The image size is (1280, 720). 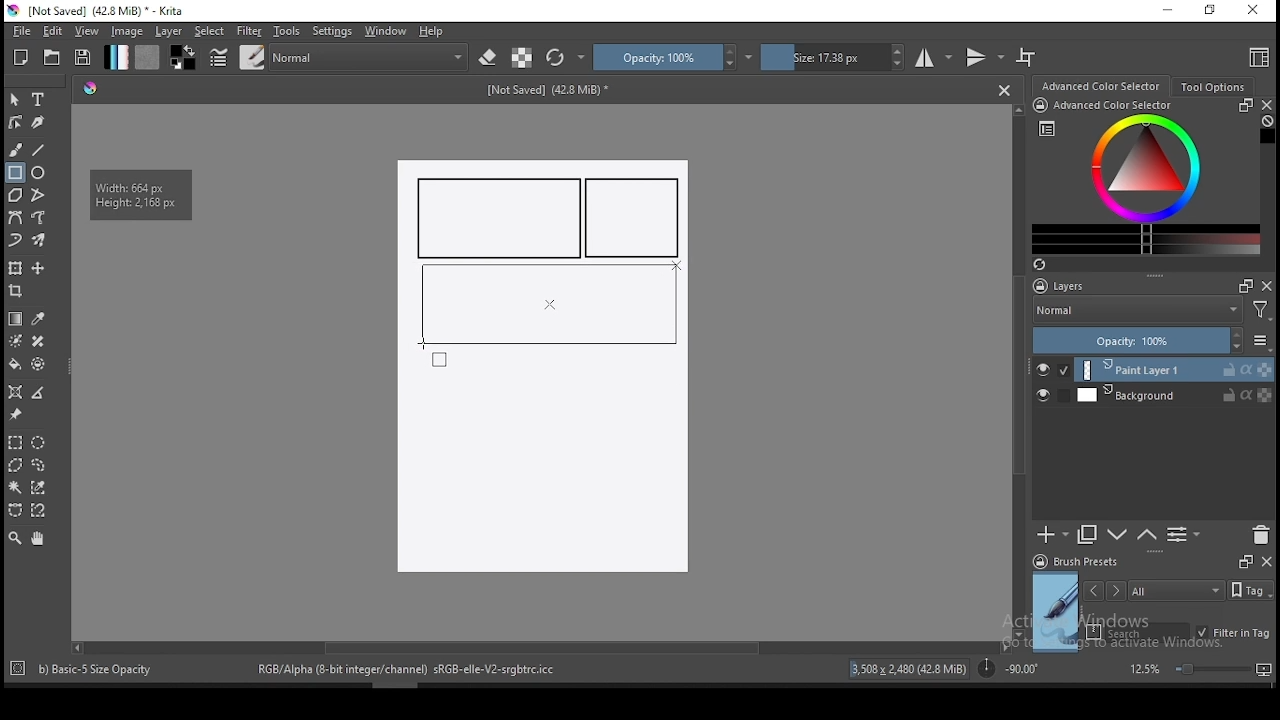 What do you see at coordinates (934, 57) in the screenshot?
I see `horizontal mirror tool` at bounding box center [934, 57].